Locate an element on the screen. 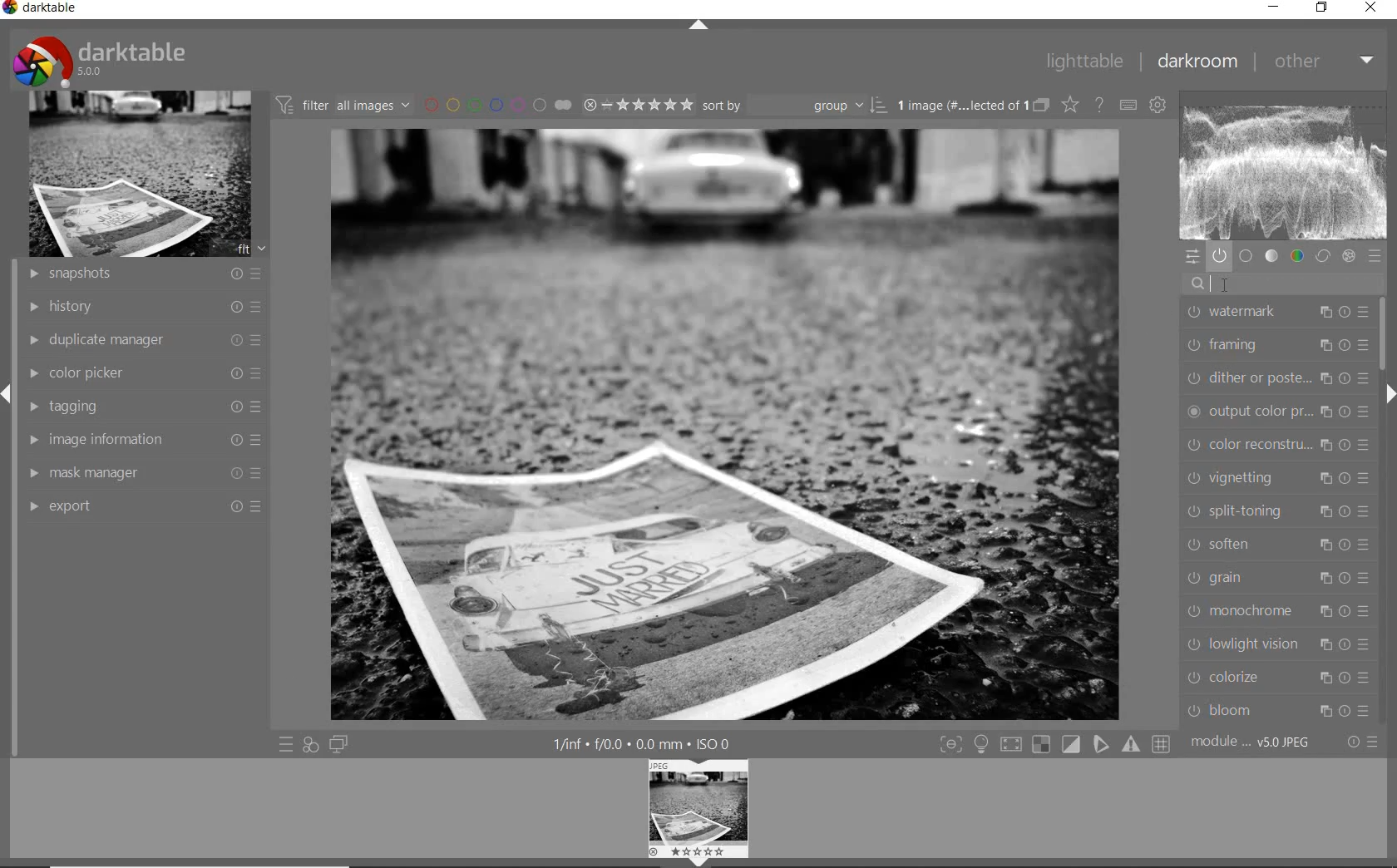 The image size is (1397, 868). search module is located at coordinates (1281, 284).